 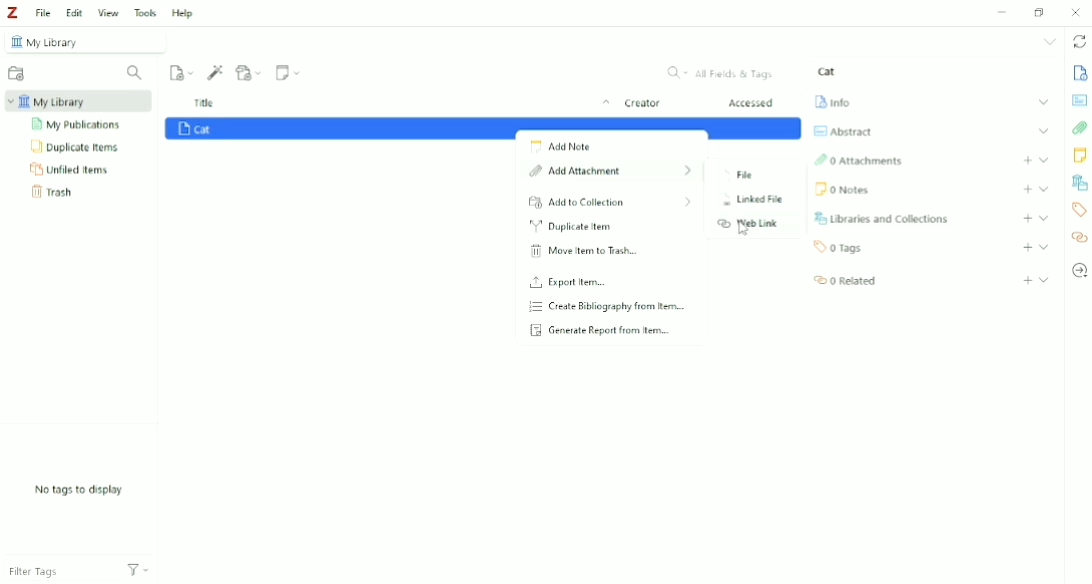 I want to click on Linked File, so click(x=748, y=201).